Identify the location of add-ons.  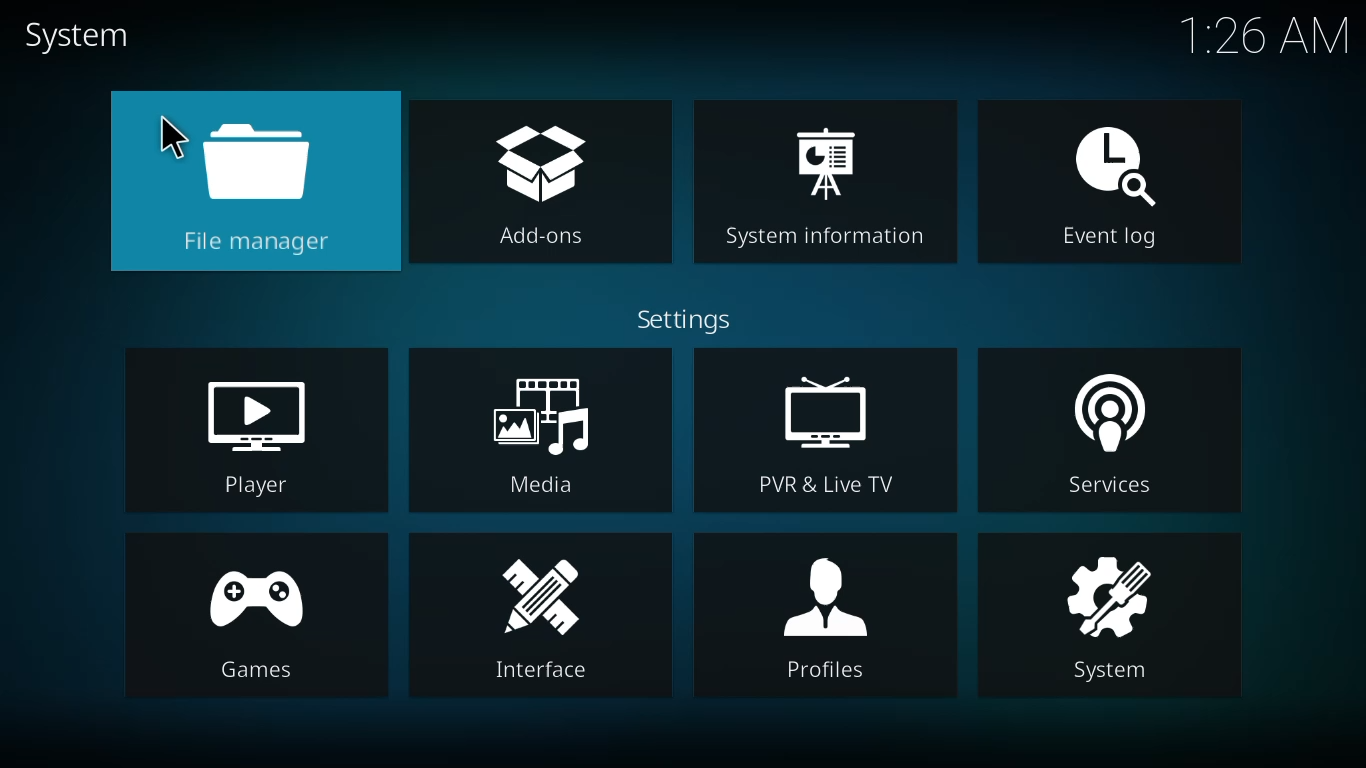
(538, 184).